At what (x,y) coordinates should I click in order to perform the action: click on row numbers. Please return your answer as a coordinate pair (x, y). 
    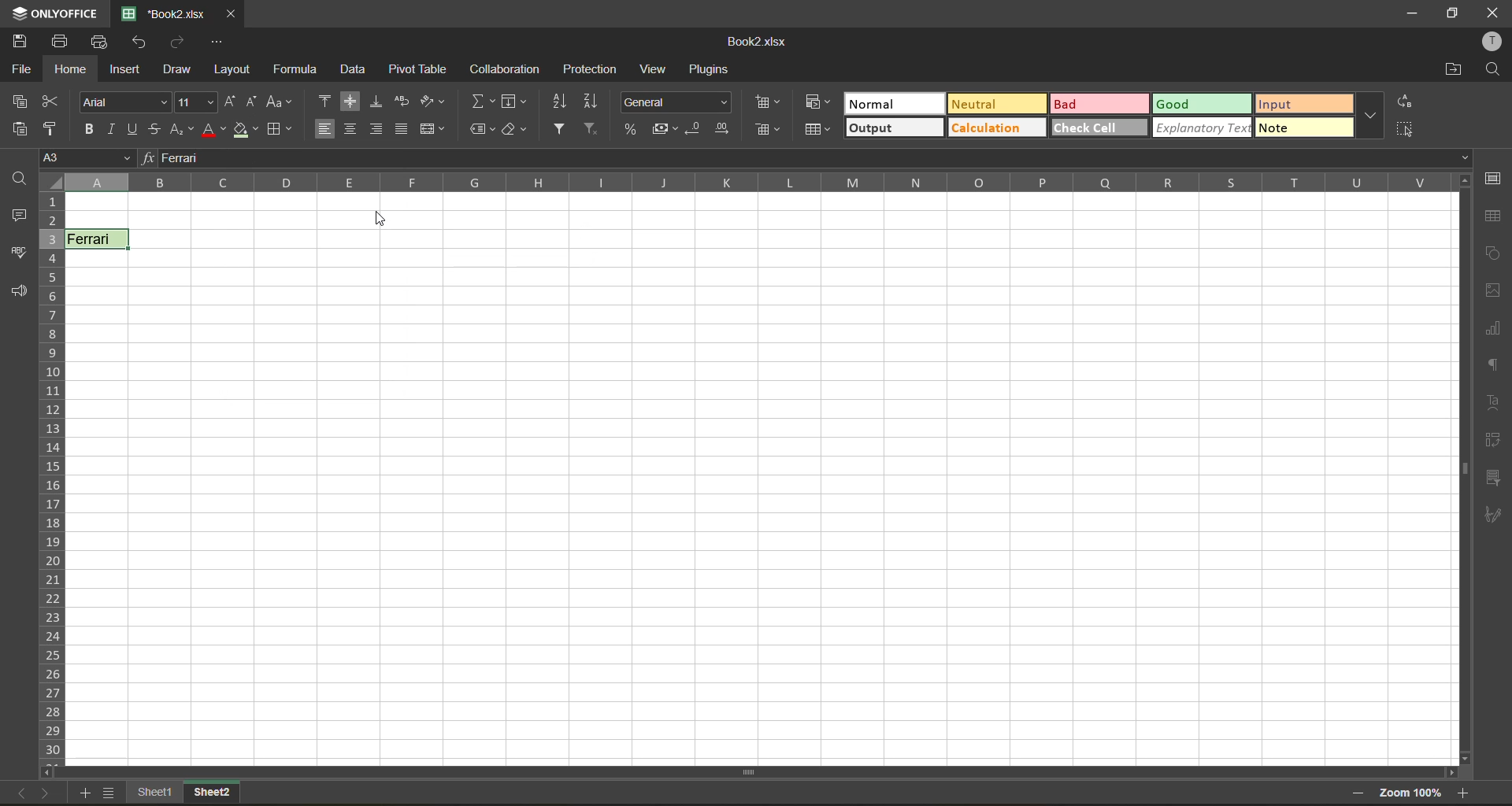
    Looking at the image, I should click on (52, 475).